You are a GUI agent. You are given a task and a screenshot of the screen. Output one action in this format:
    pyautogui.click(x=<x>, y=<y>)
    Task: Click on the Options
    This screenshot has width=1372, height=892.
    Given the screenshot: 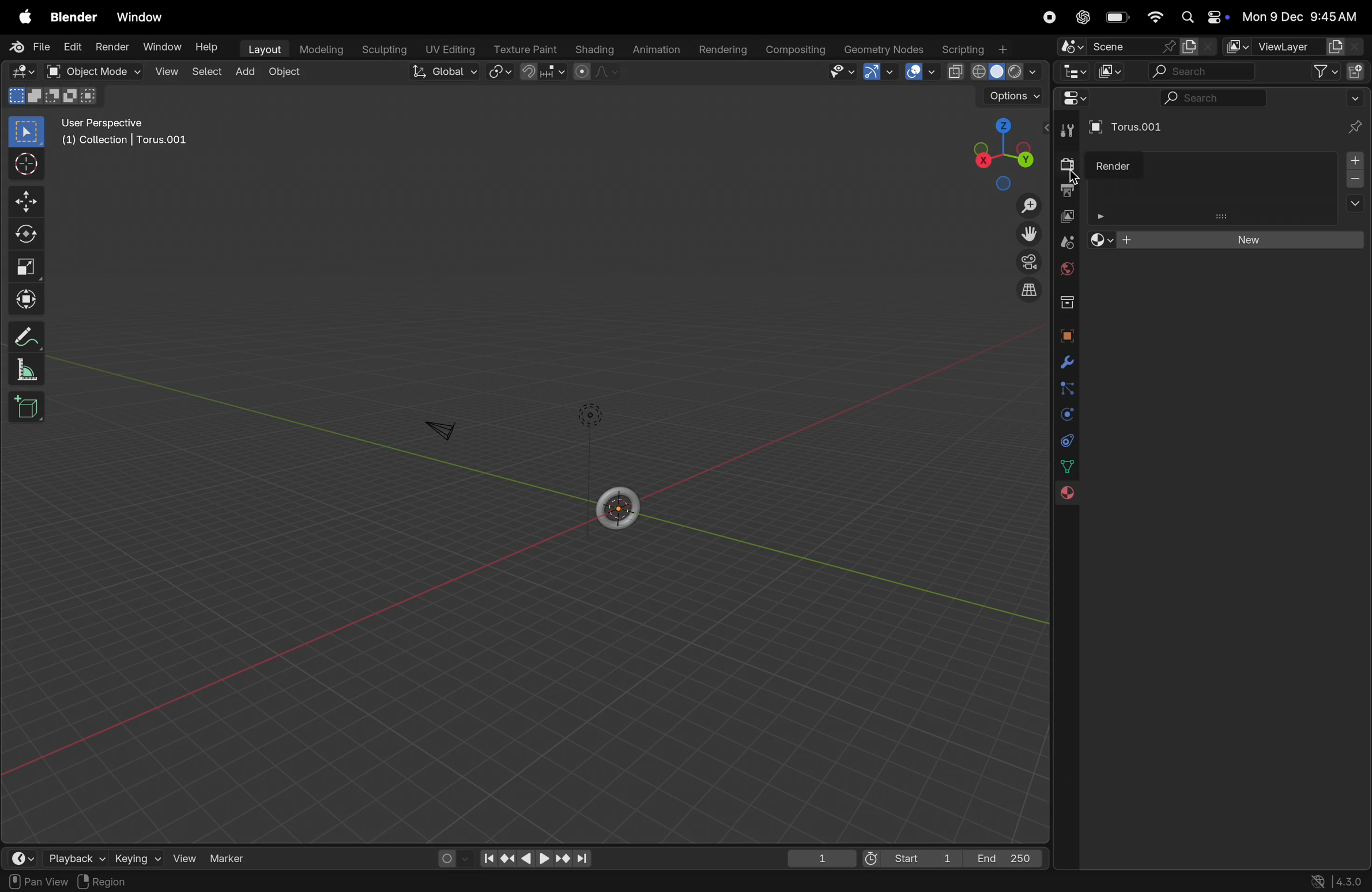 What is the action you would take?
    pyautogui.click(x=1009, y=96)
    